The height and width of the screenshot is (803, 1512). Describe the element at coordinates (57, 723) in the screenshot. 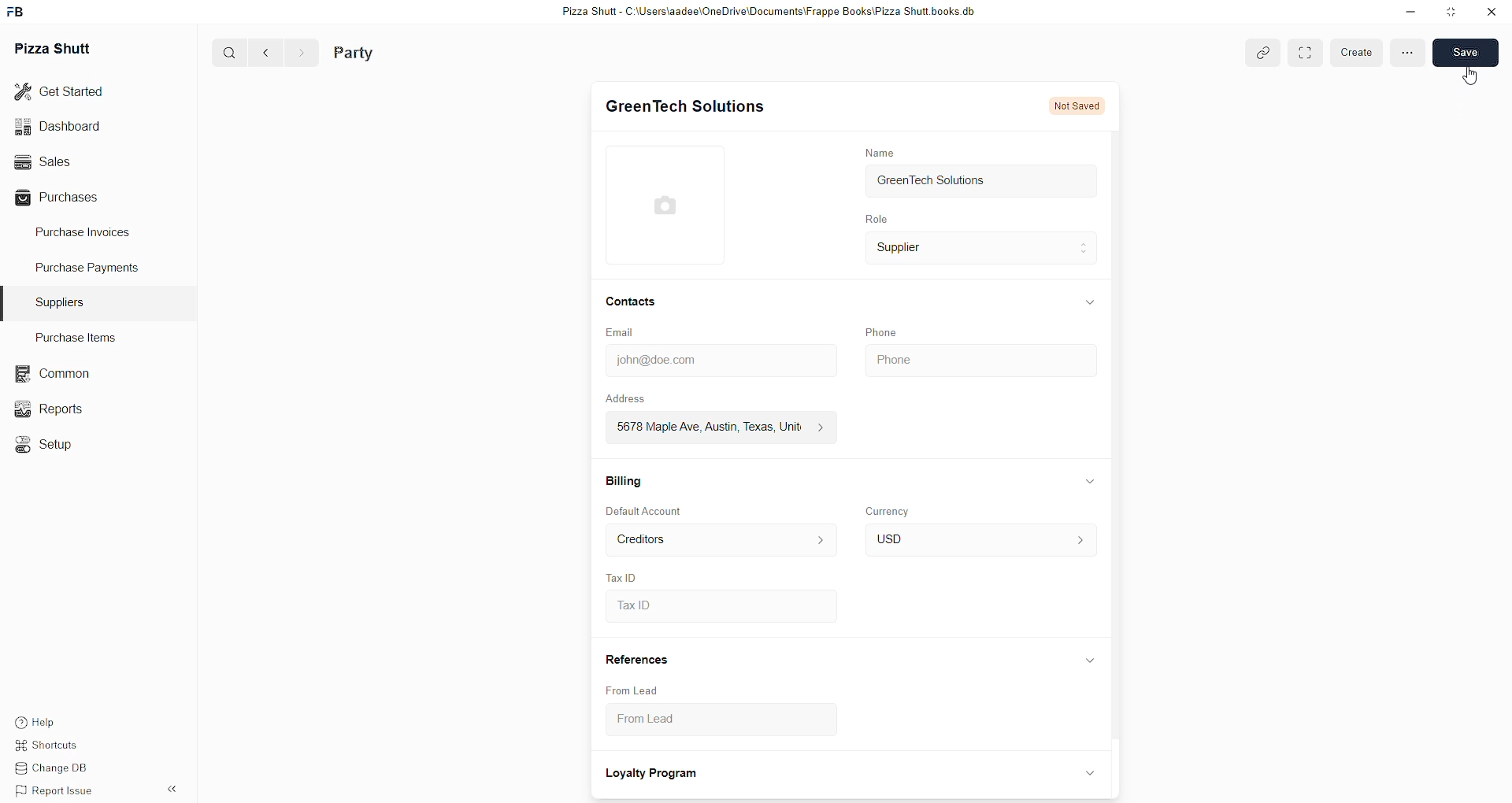

I see ` Help` at that location.